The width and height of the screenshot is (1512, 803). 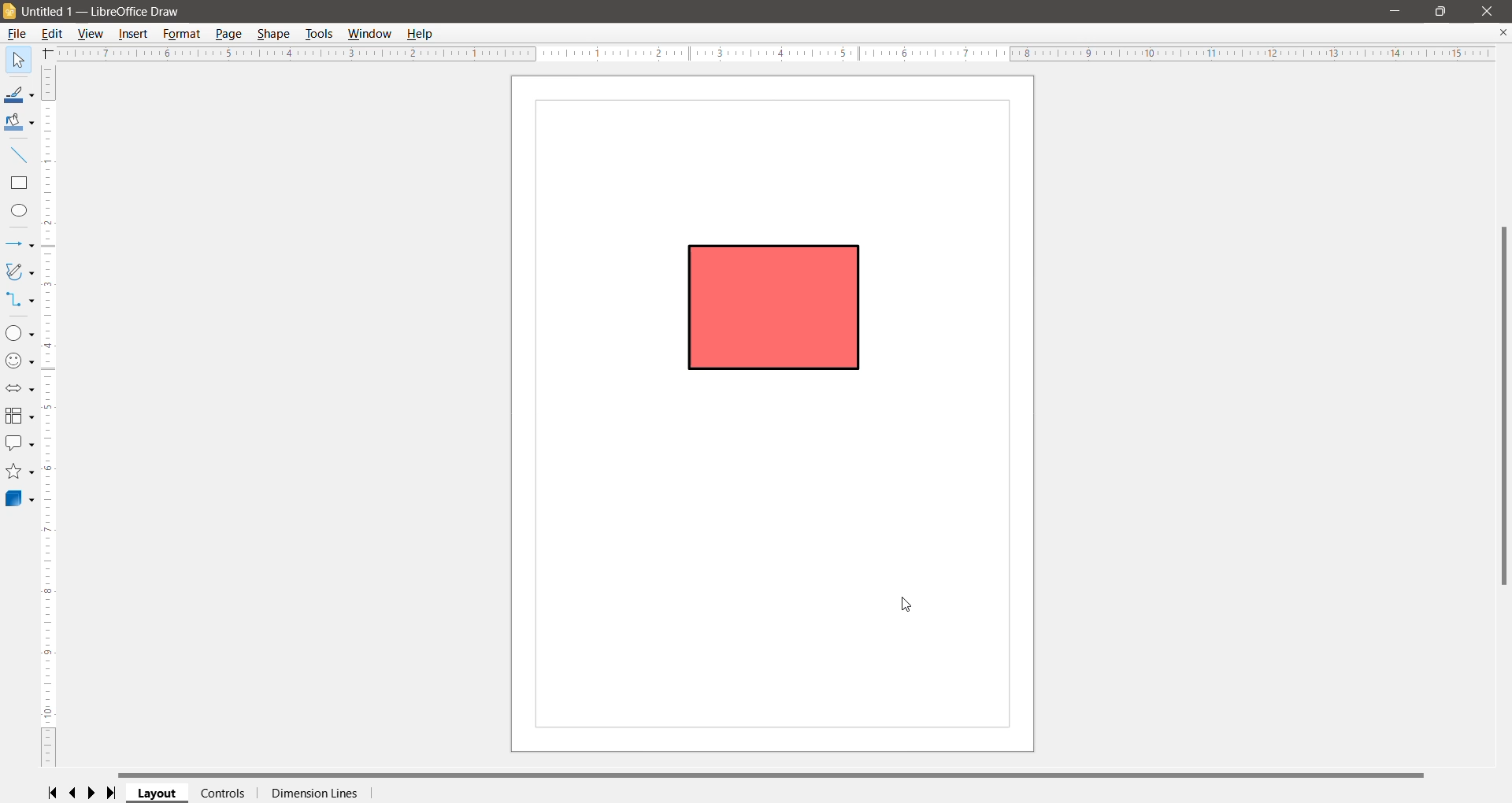 I want to click on Page, so click(x=229, y=34).